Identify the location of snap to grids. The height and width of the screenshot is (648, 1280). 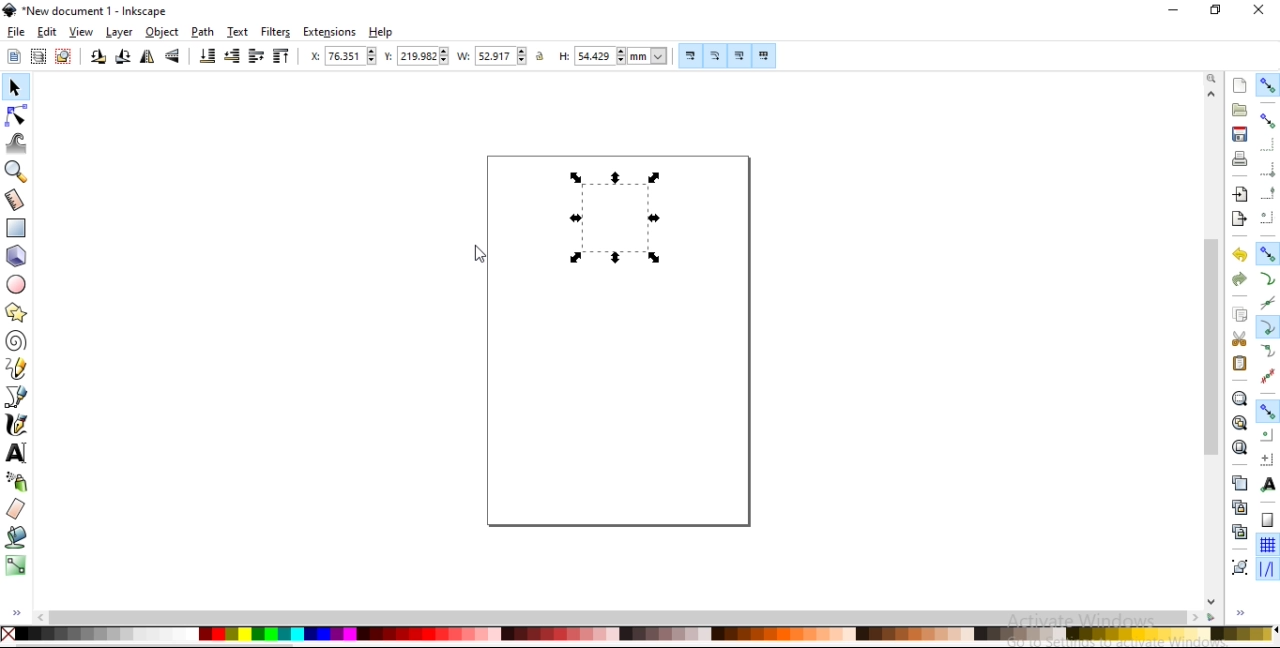
(1267, 544).